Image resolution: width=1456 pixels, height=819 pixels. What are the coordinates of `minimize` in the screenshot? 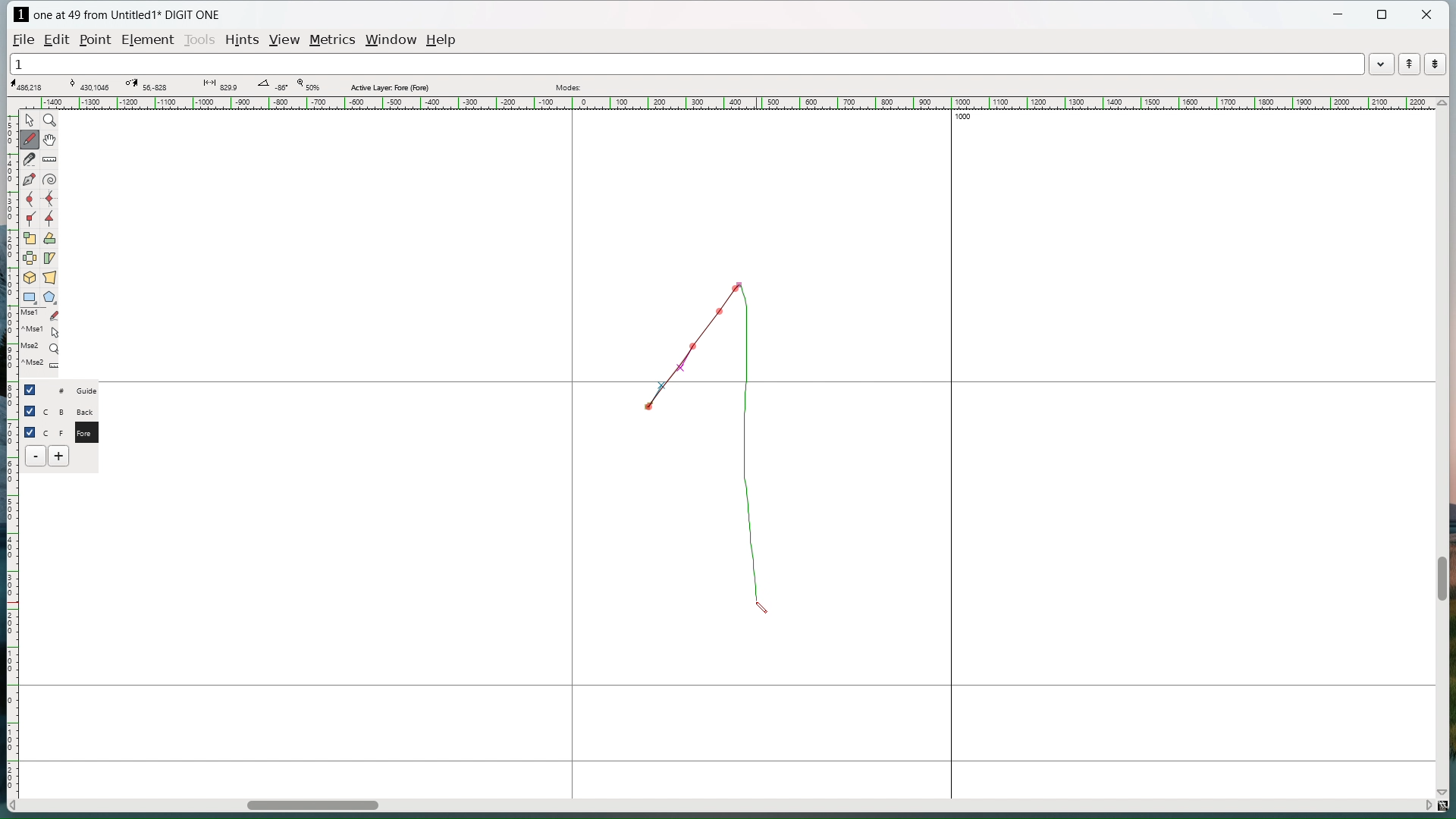 It's located at (1340, 16).